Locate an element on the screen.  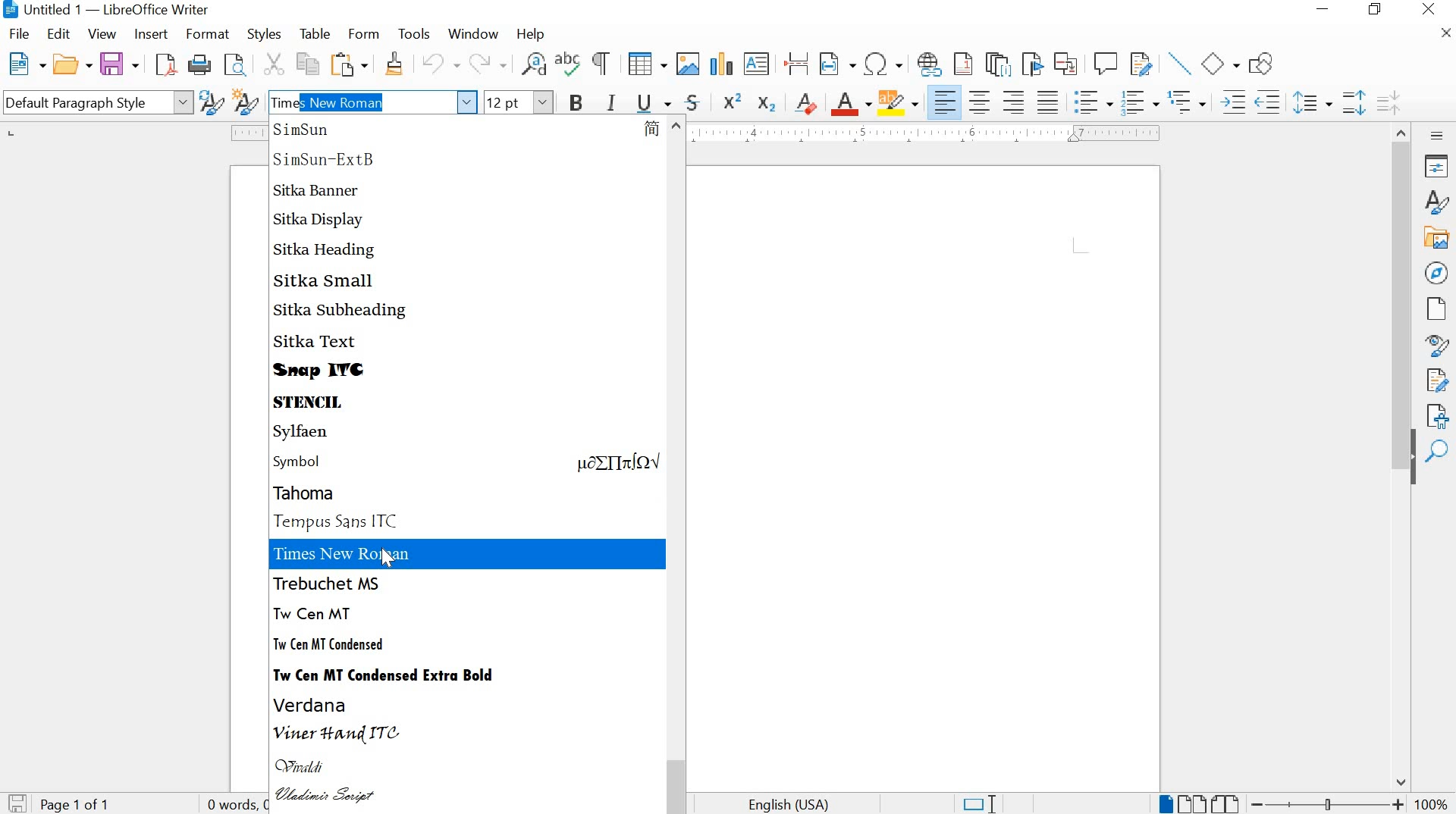
TREBUCHET MS is located at coordinates (334, 584).